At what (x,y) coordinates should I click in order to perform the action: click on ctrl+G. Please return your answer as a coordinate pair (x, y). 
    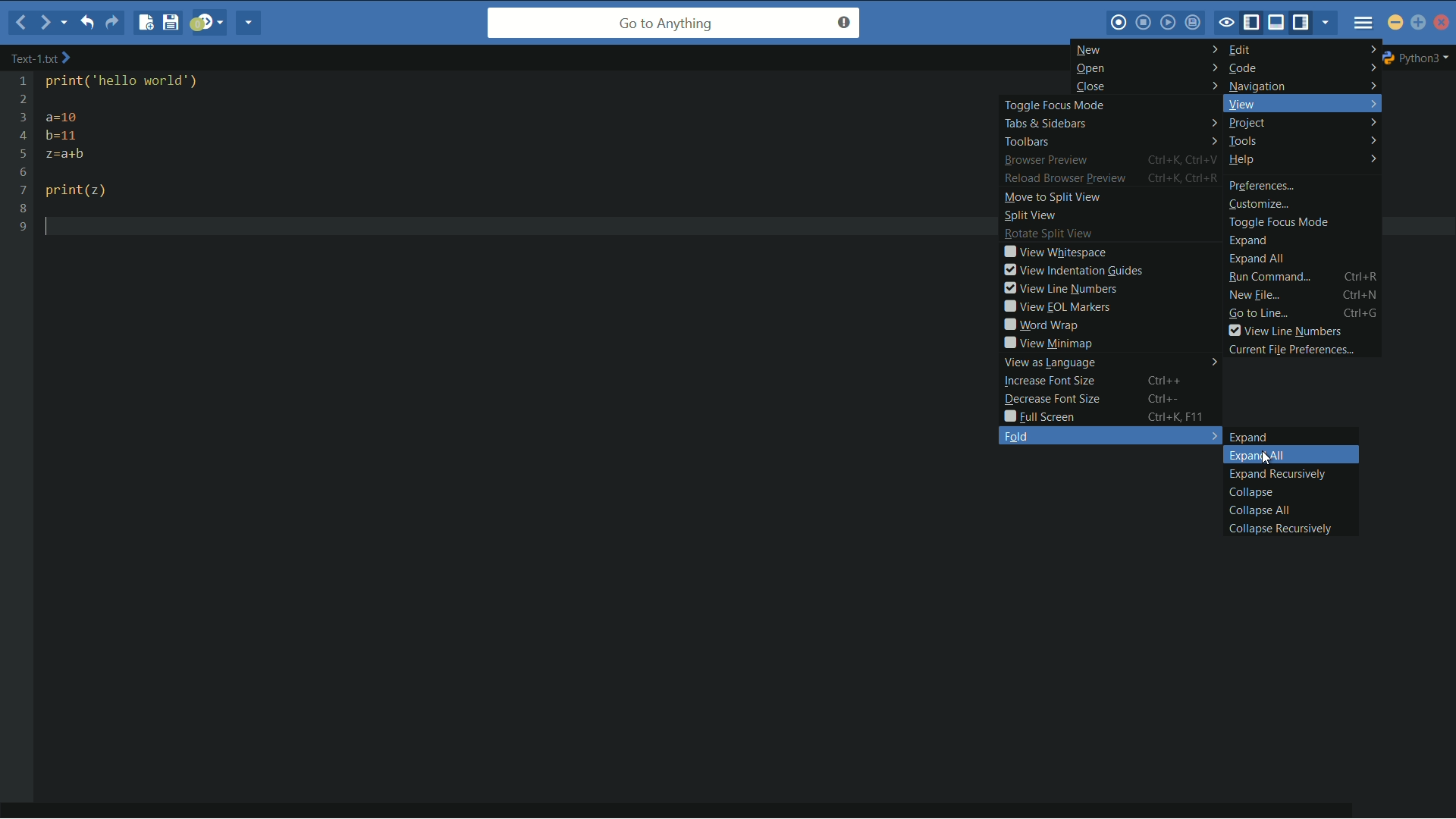
    Looking at the image, I should click on (1363, 314).